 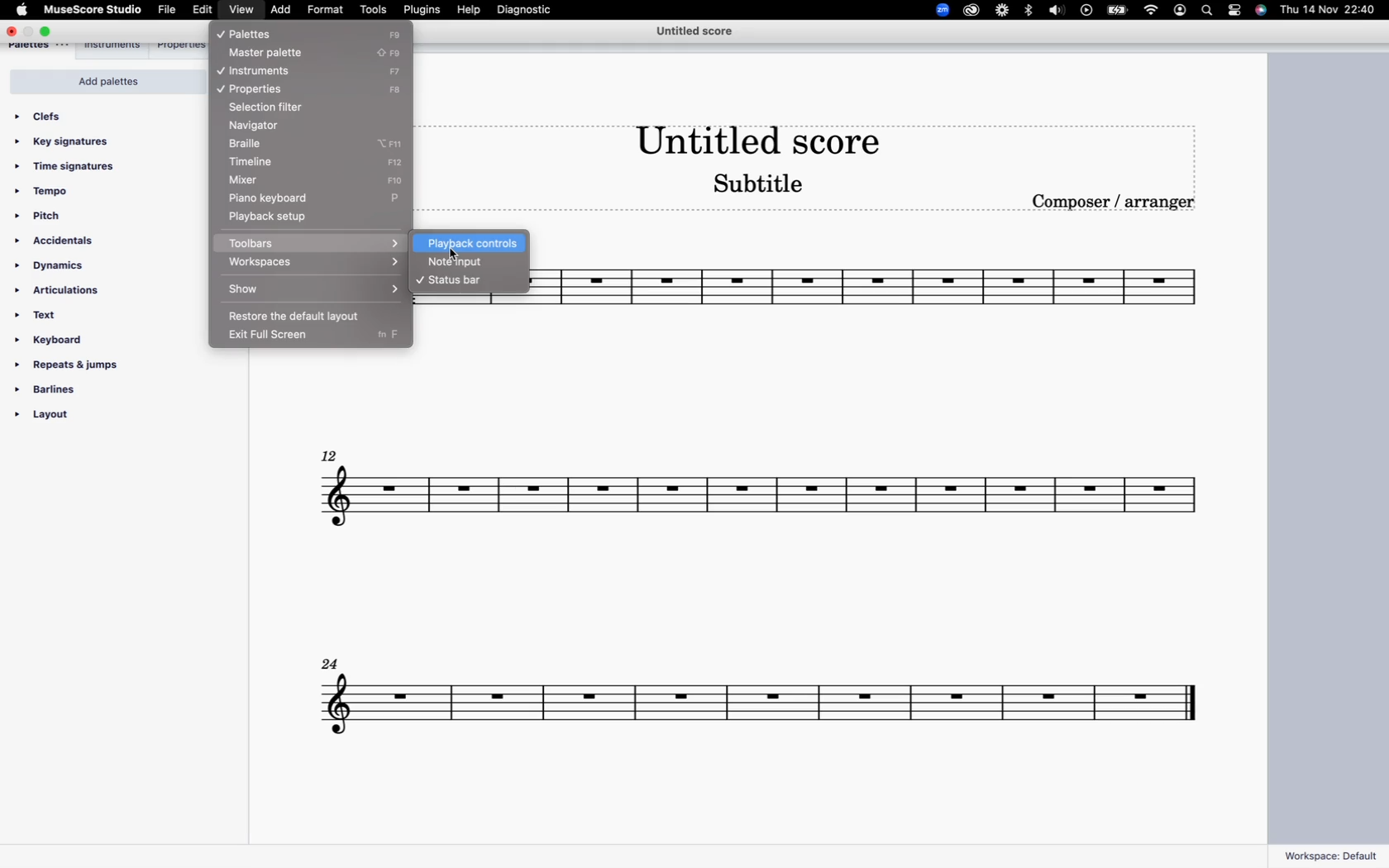 What do you see at coordinates (70, 365) in the screenshot?
I see `repeats & jumps` at bounding box center [70, 365].